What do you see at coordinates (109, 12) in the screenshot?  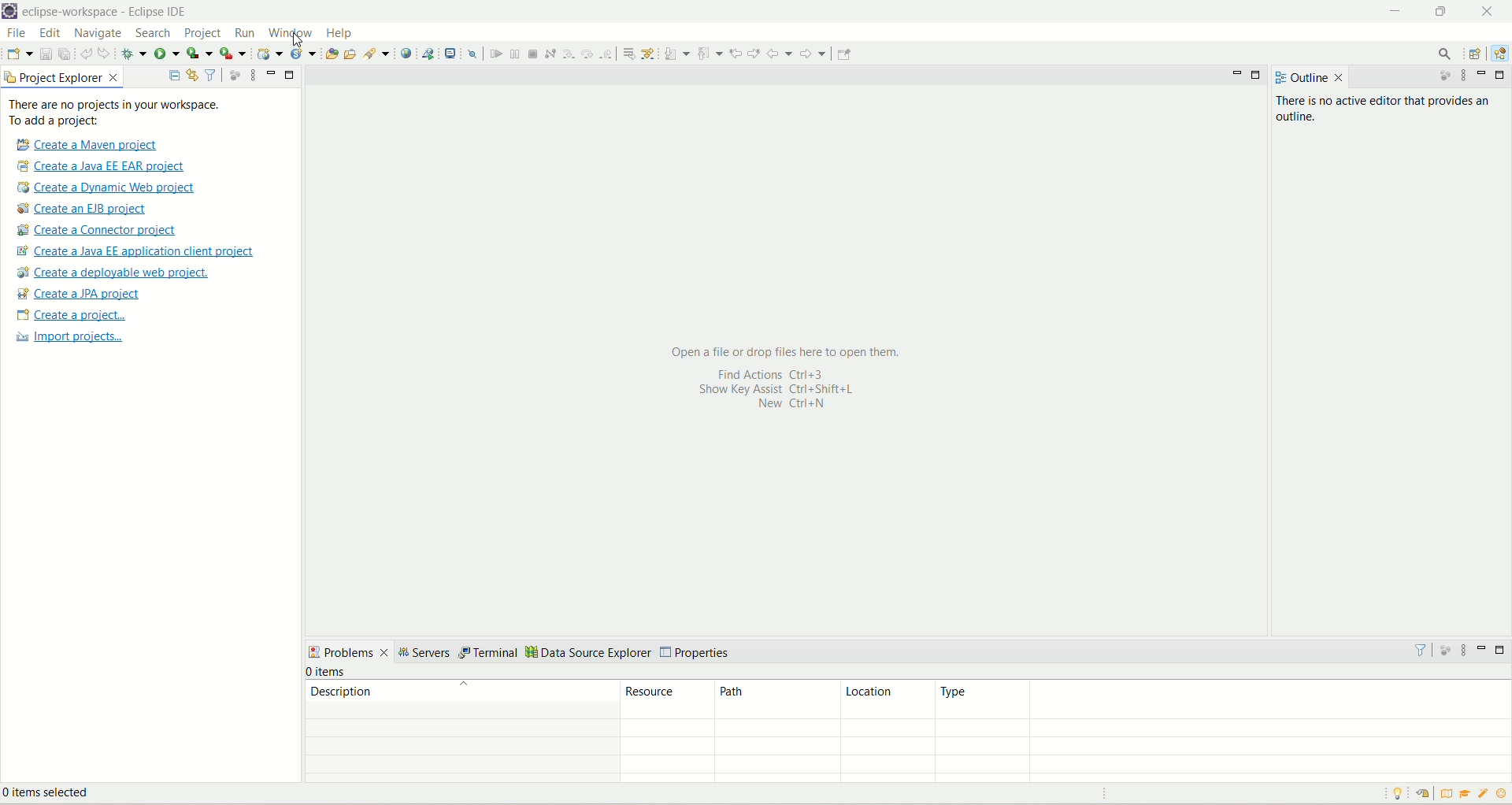 I see `eclipse workspace-Eclipse IDE` at bounding box center [109, 12].